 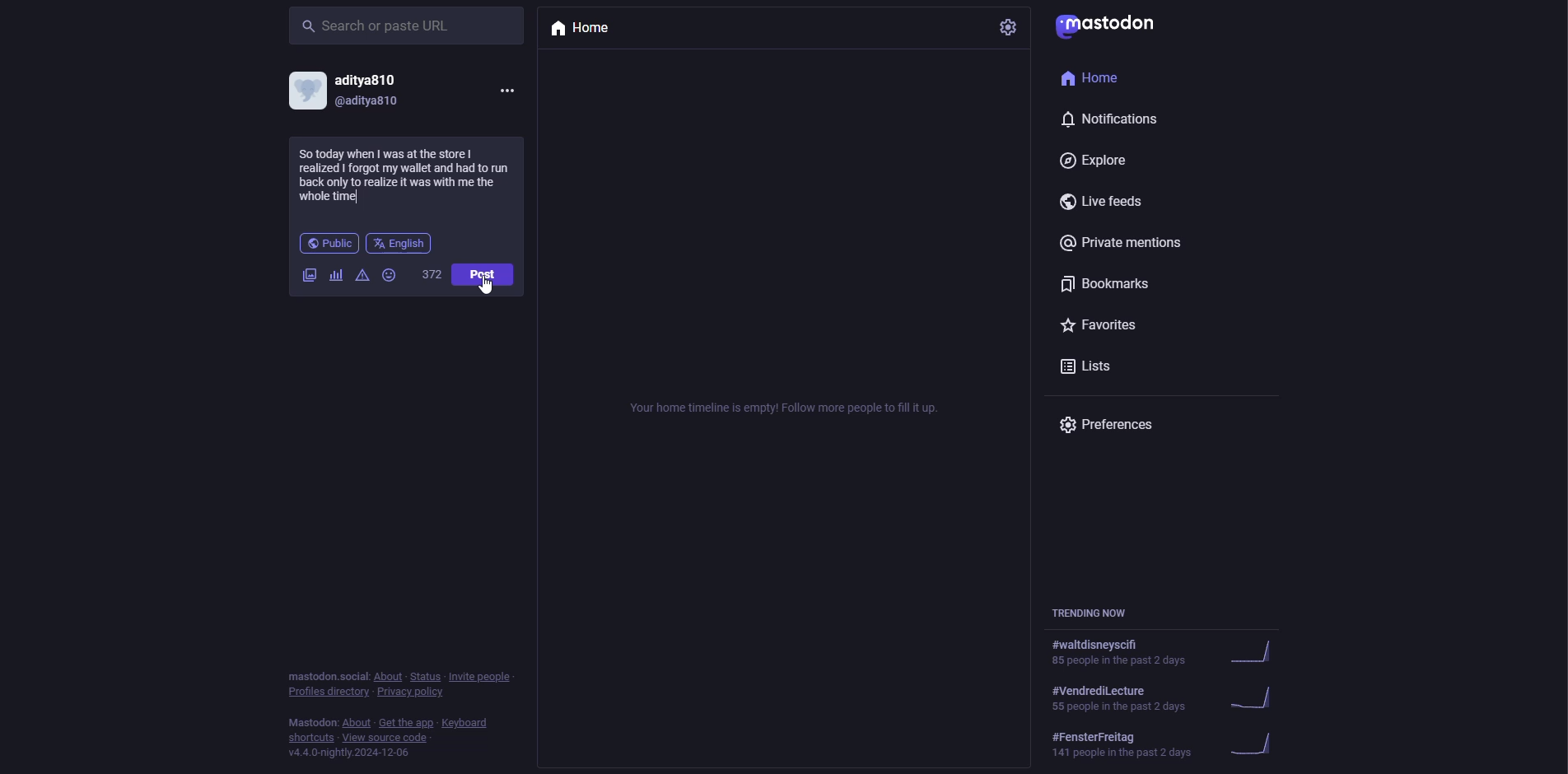 What do you see at coordinates (1112, 119) in the screenshot?
I see `notifications` at bounding box center [1112, 119].